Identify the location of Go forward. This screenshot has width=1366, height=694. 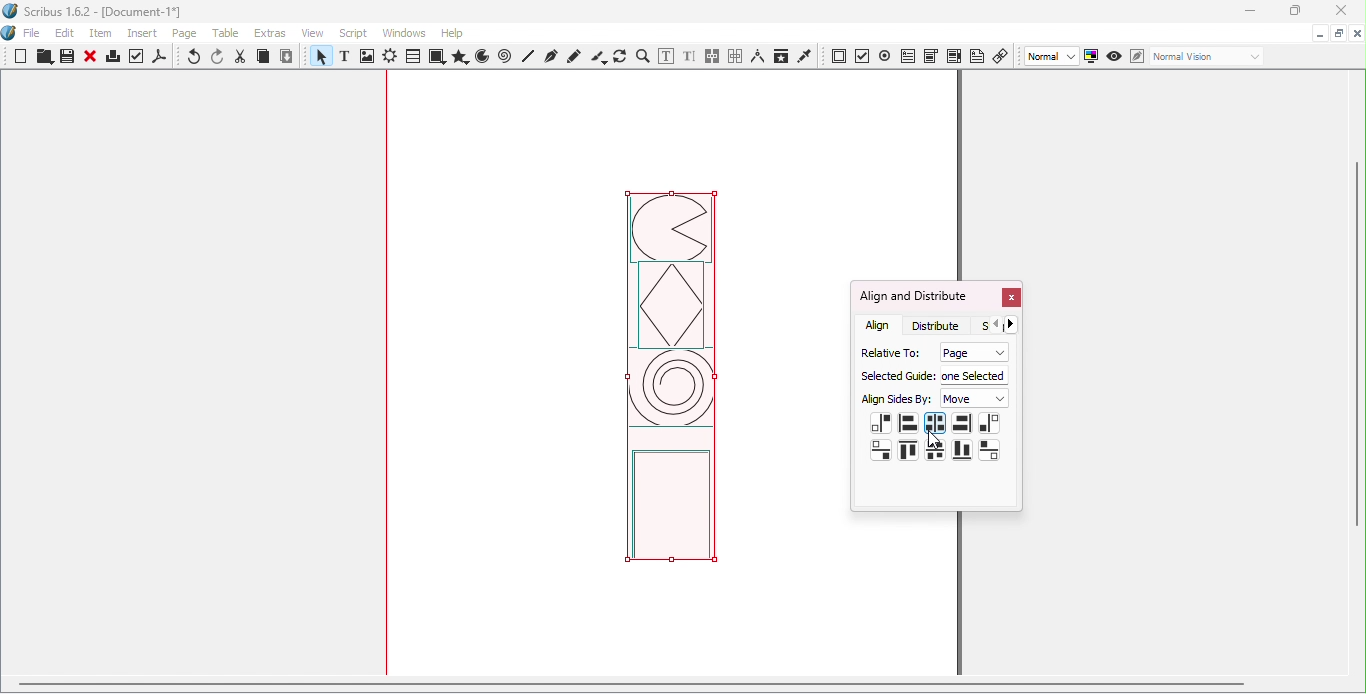
(1015, 324).